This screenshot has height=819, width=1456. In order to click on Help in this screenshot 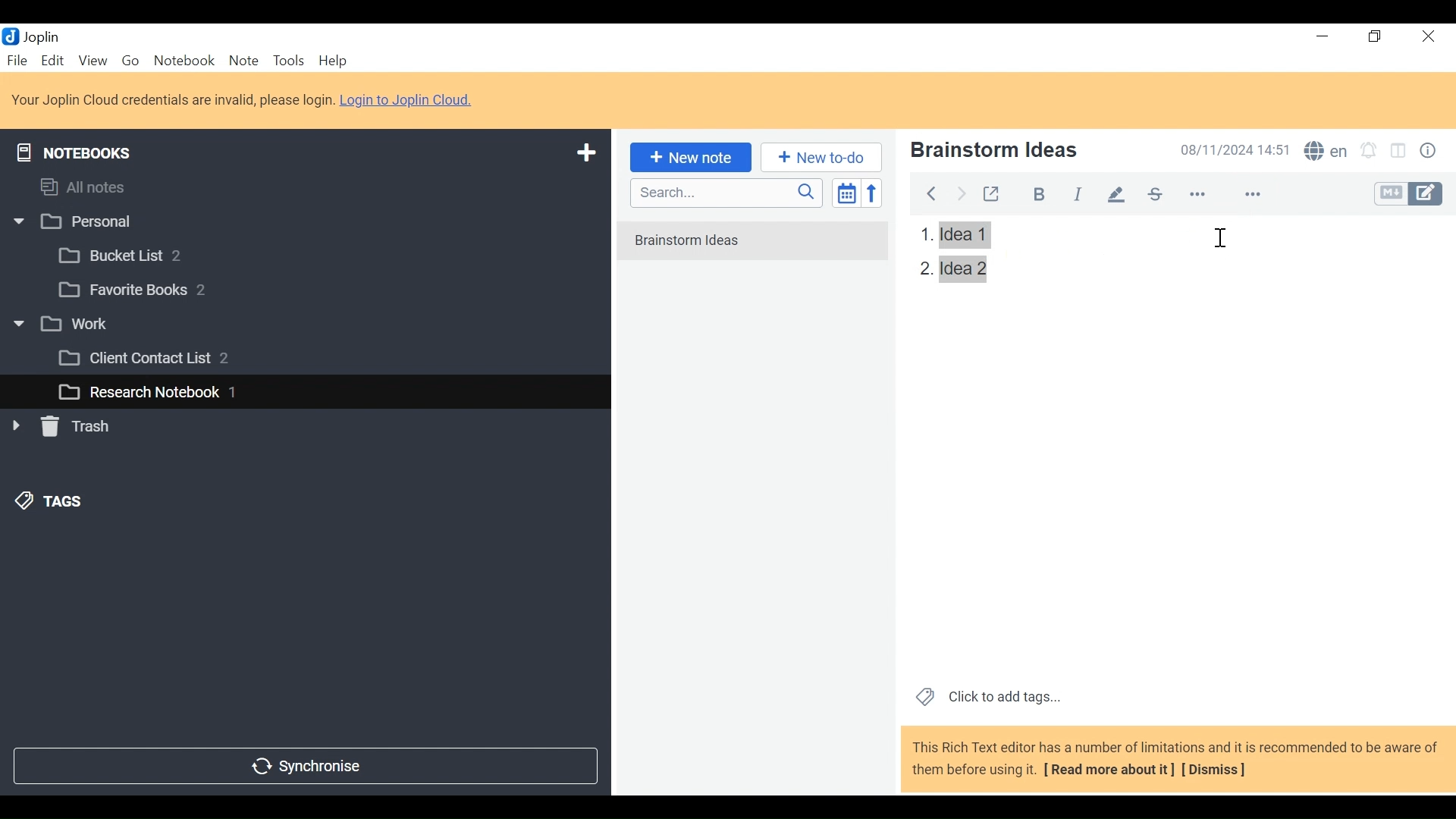, I will do `click(335, 61)`.